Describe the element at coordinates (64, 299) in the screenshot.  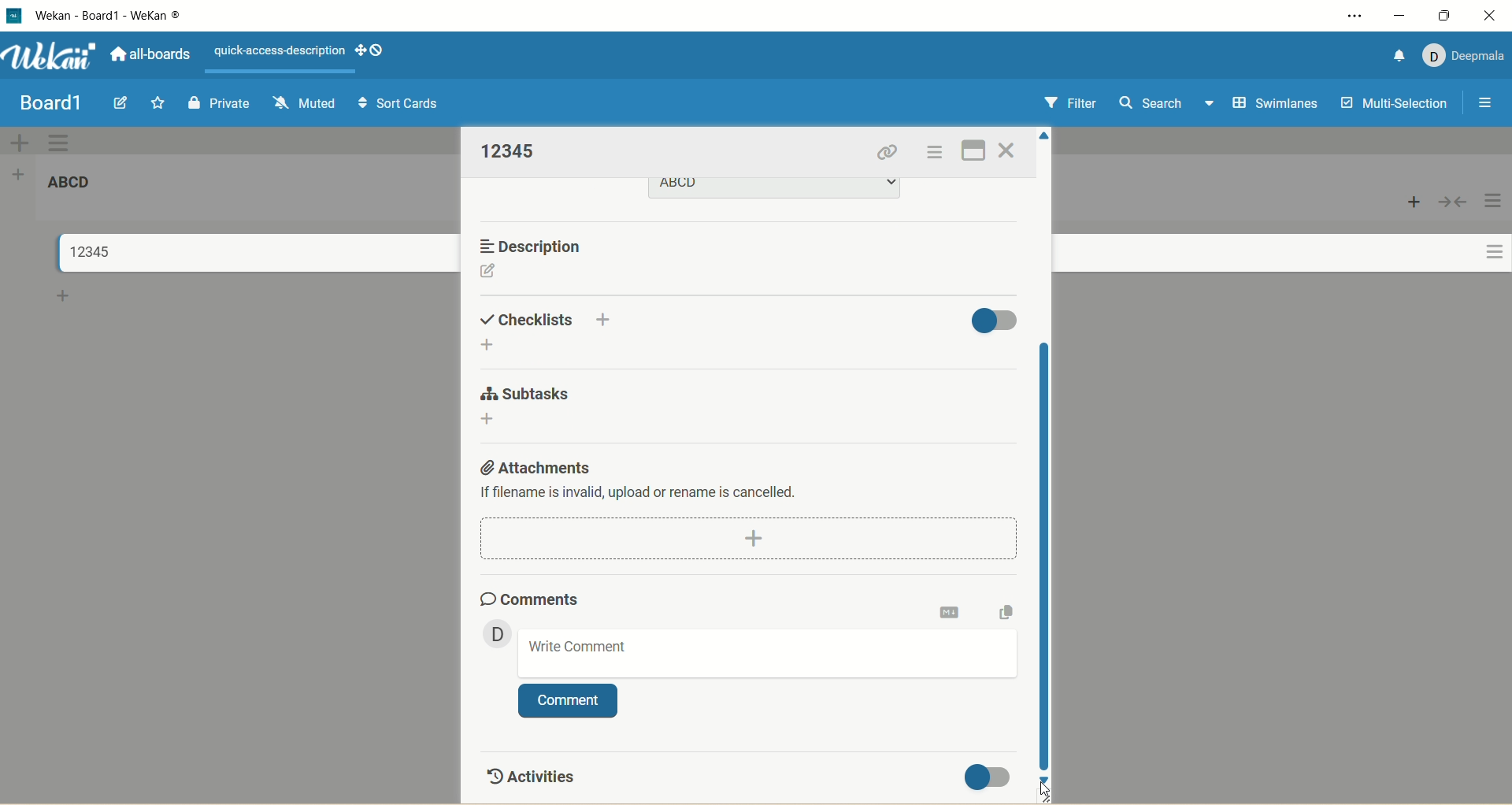
I see `add card` at that location.